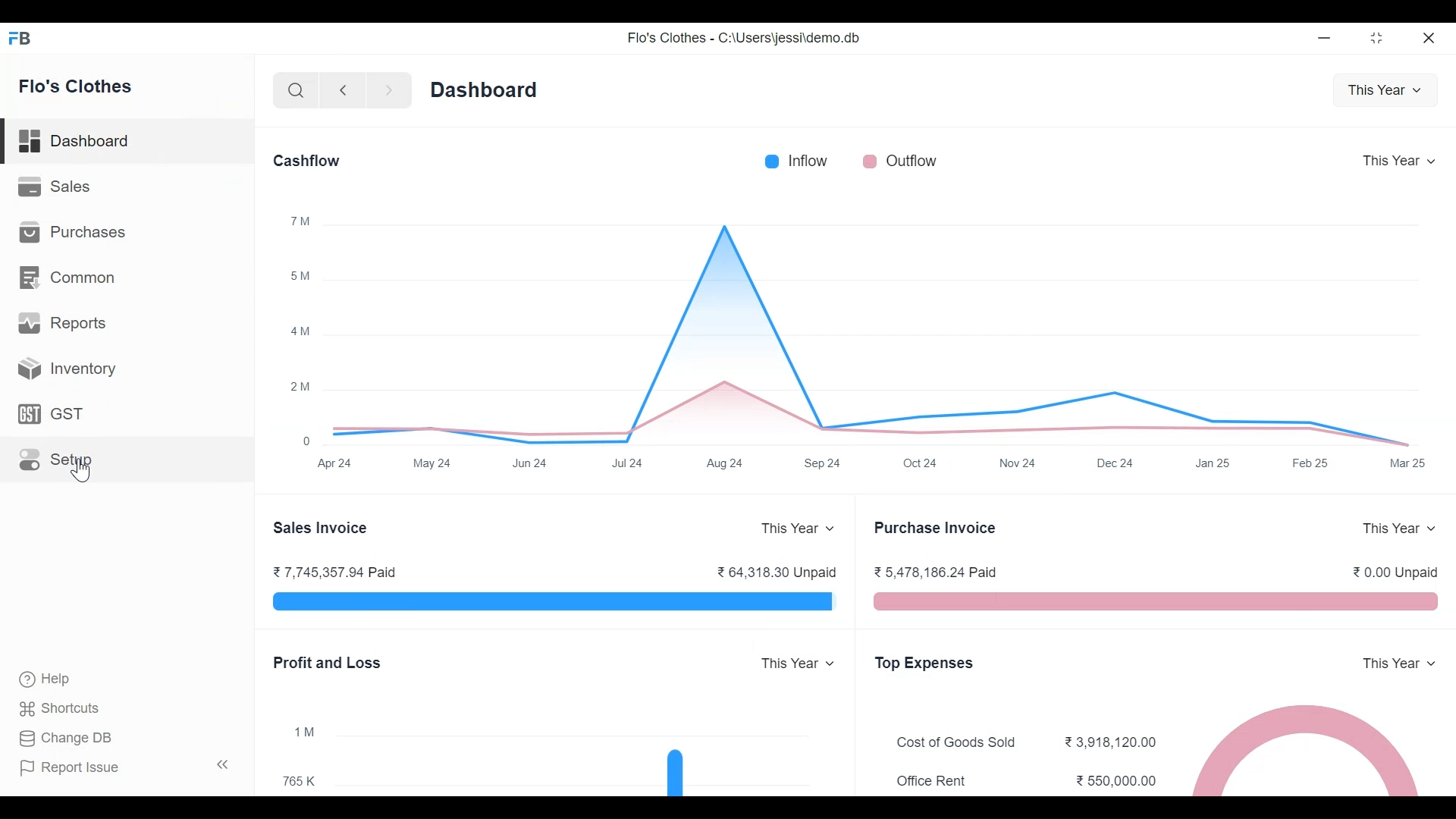 This screenshot has height=819, width=1456. I want to click on Flo's Clothes - C:\Users\jessi\demo.db, so click(743, 40).